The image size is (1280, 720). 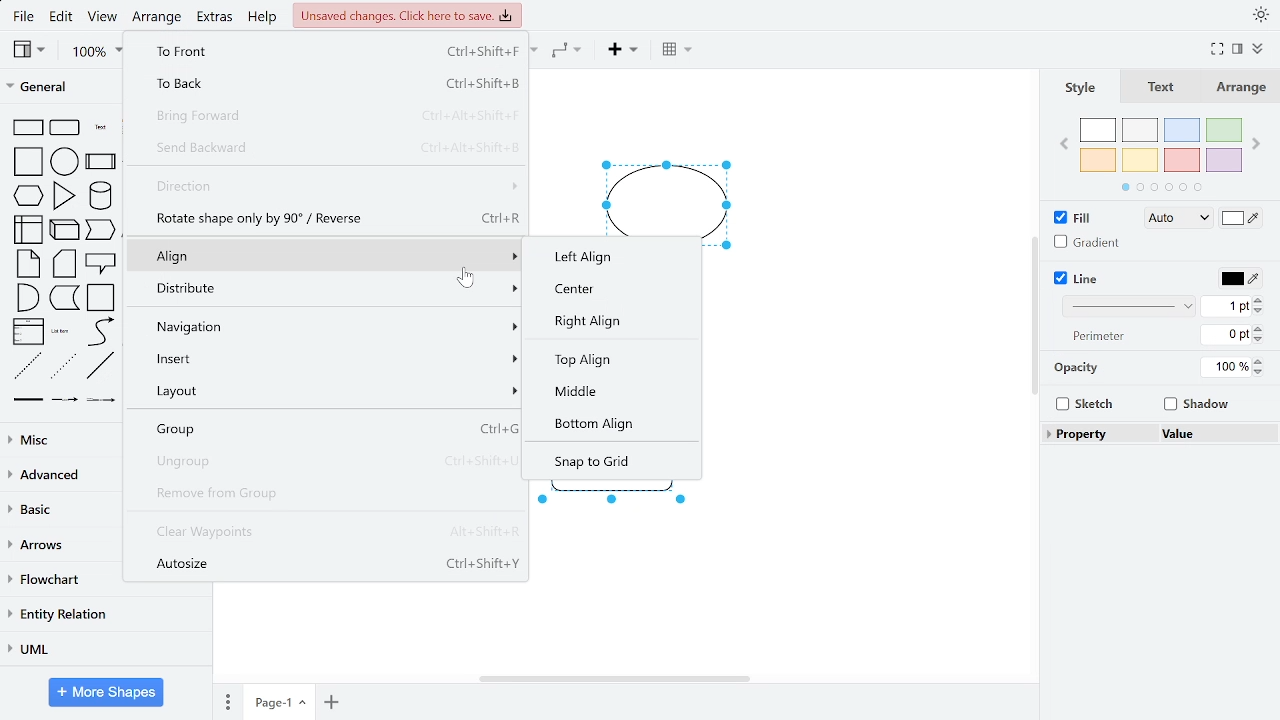 I want to click on vertical scrollbar, so click(x=1032, y=314).